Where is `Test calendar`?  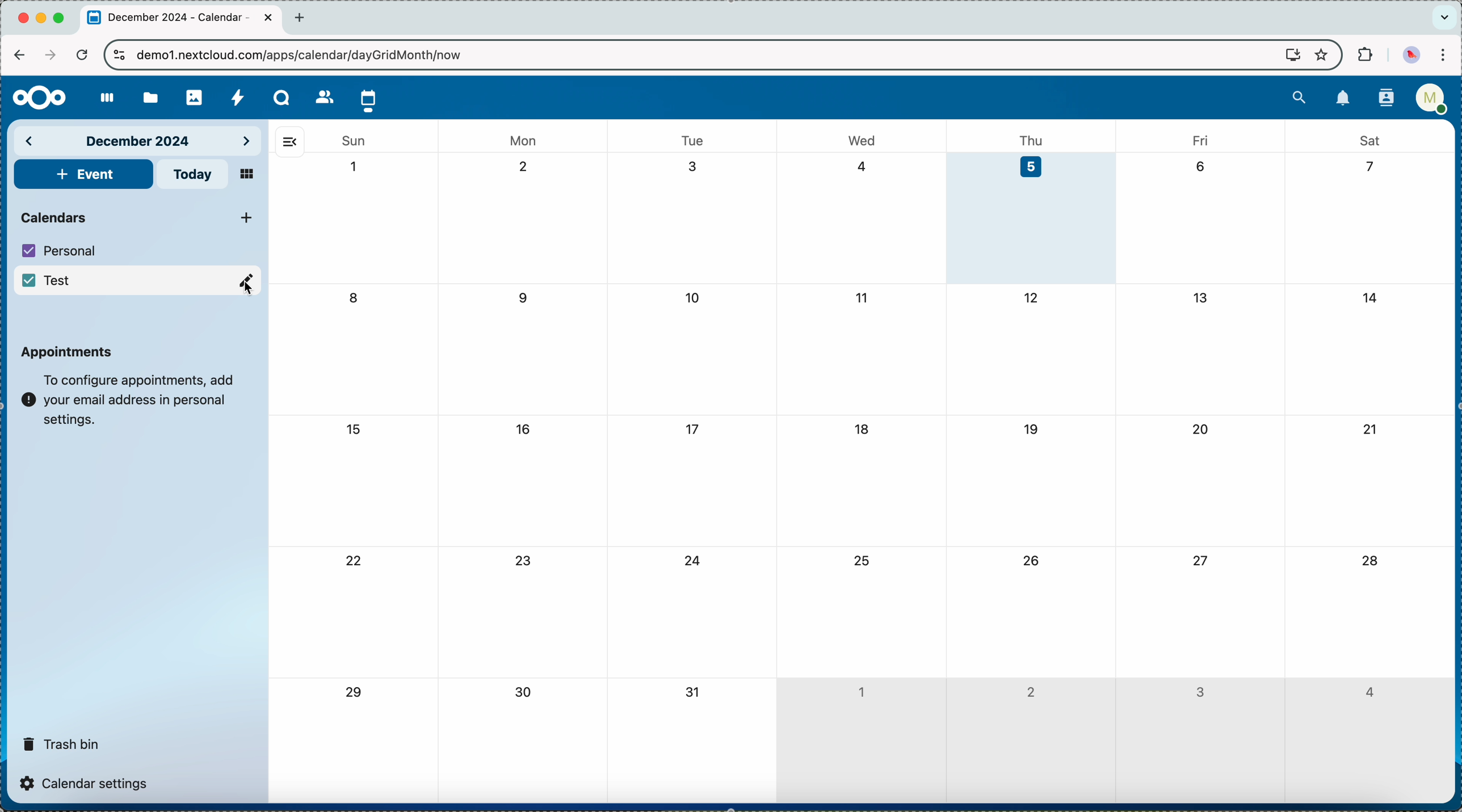 Test calendar is located at coordinates (139, 281).